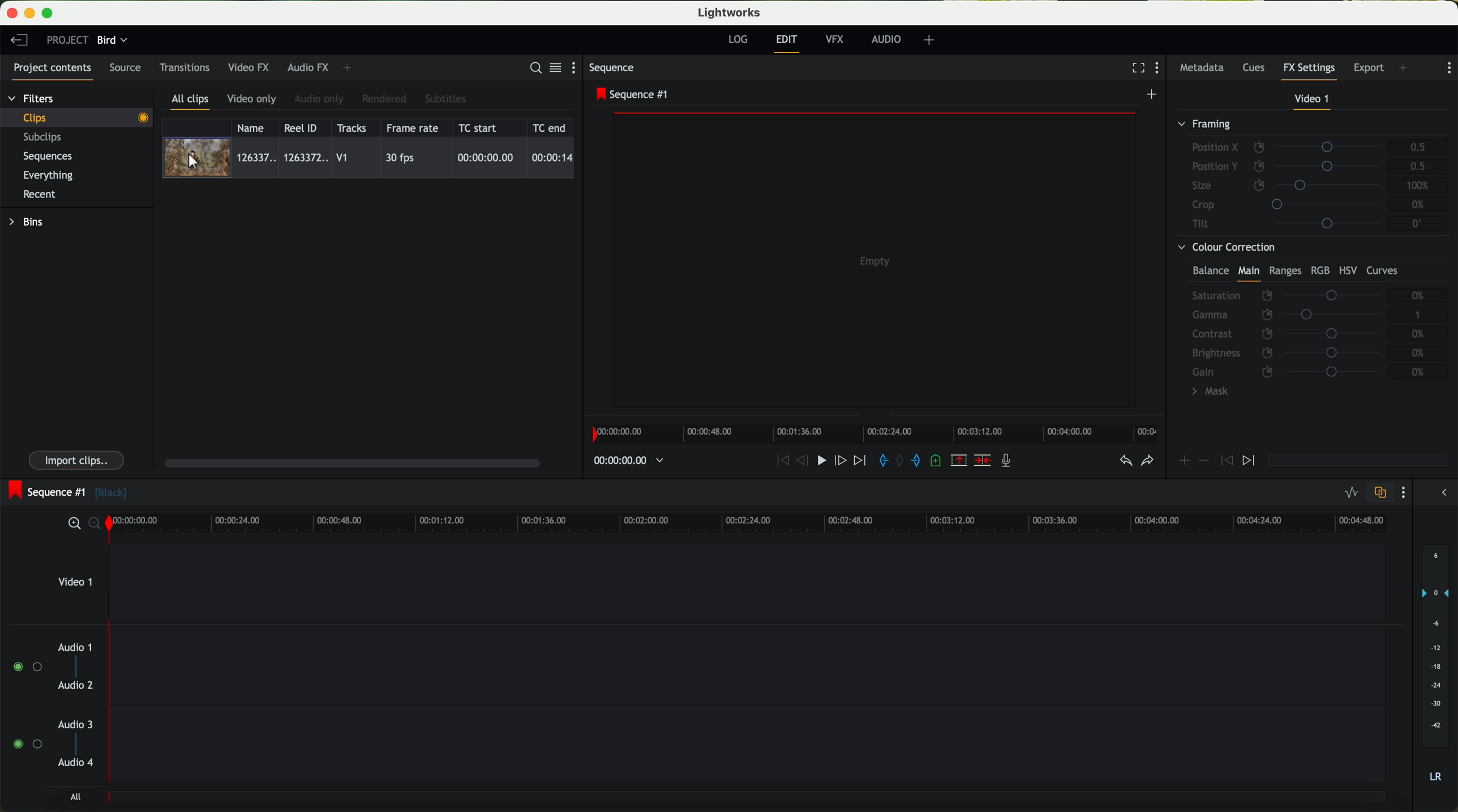 This screenshot has width=1458, height=812. I want to click on brightness, so click(1293, 353).